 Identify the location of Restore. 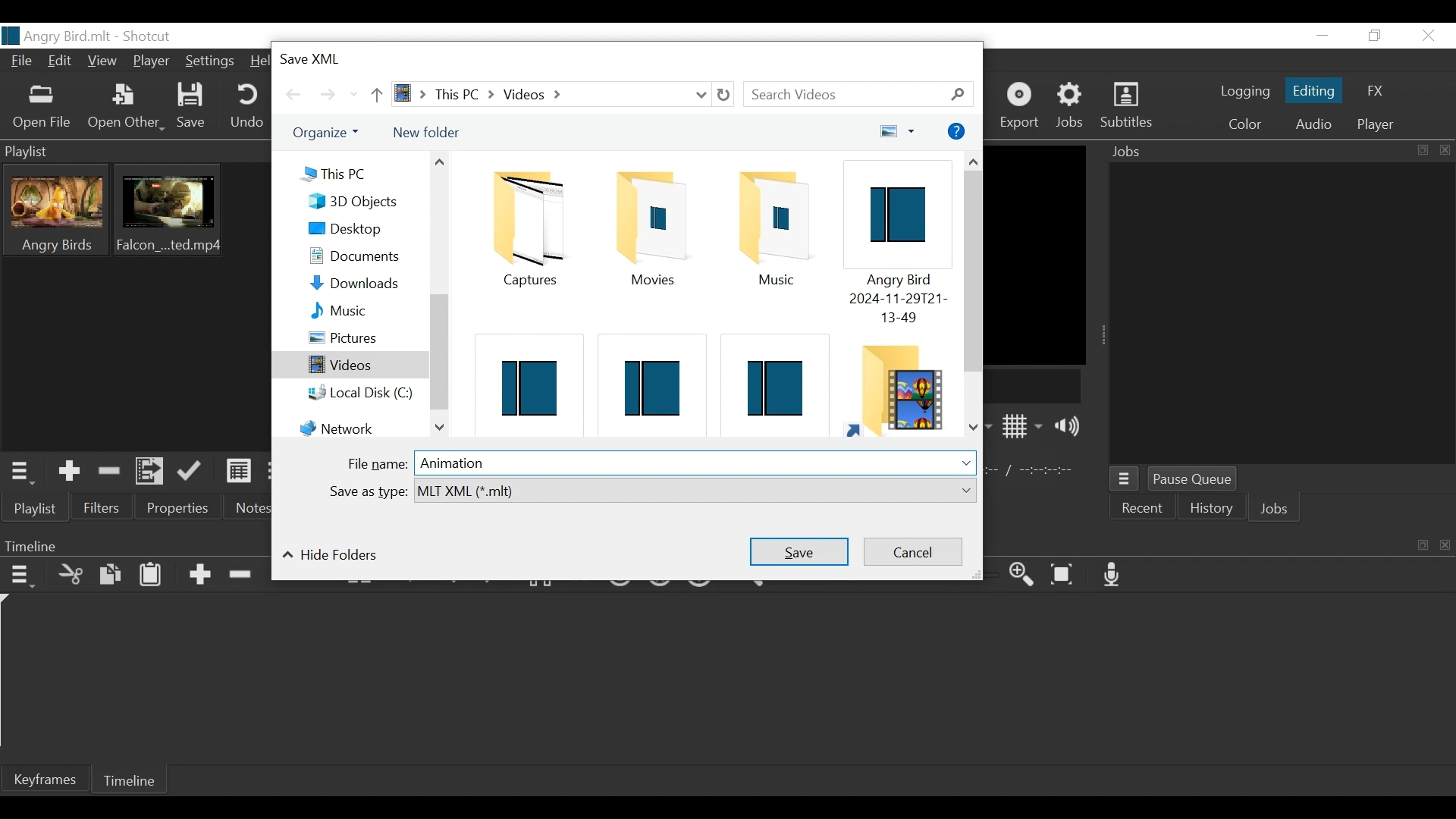
(1373, 36).